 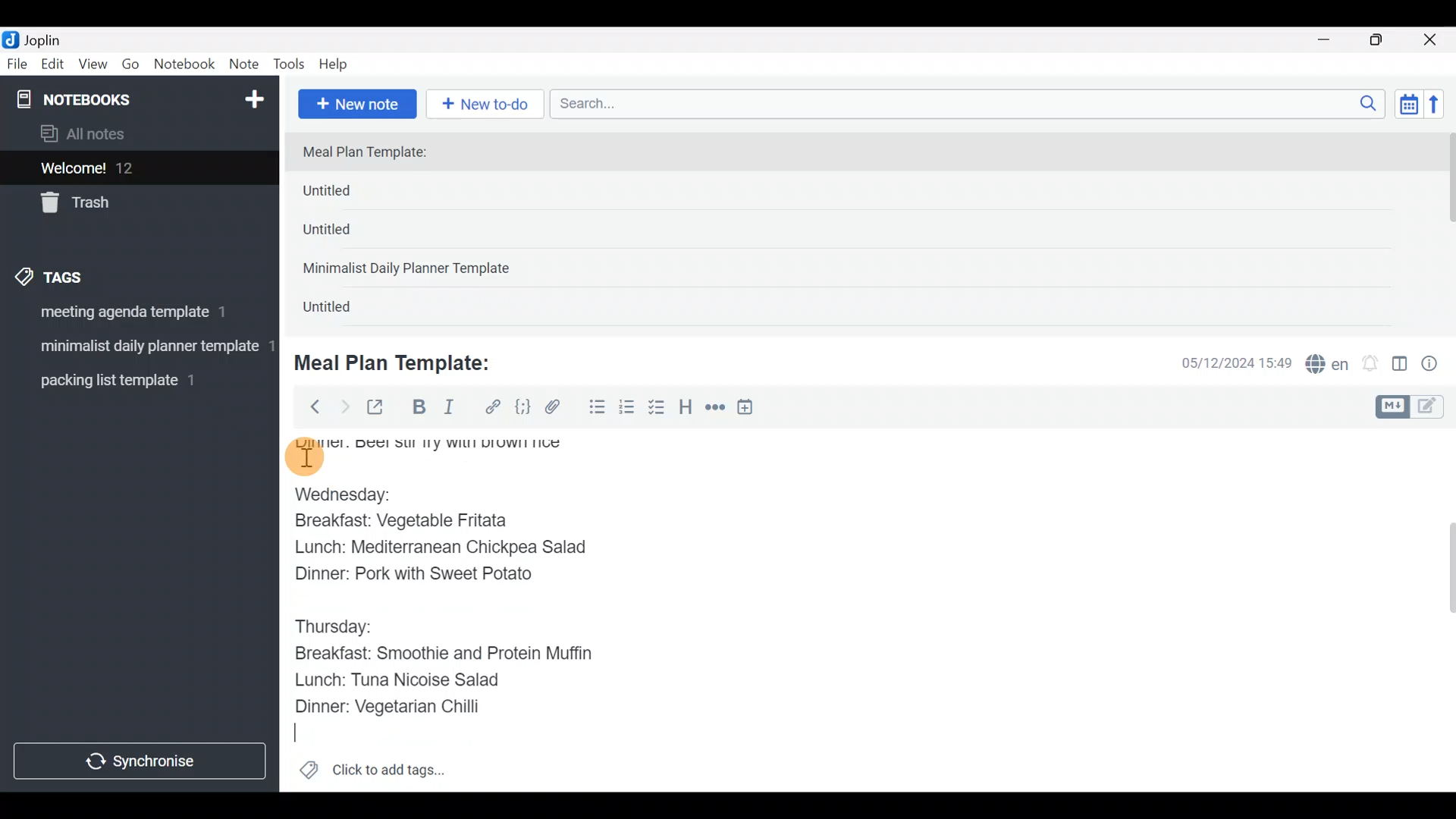 What do you see at coordinates (1371, 365) in the screenshot?
I see `Set alarm` at bounding box center [1371, 365].